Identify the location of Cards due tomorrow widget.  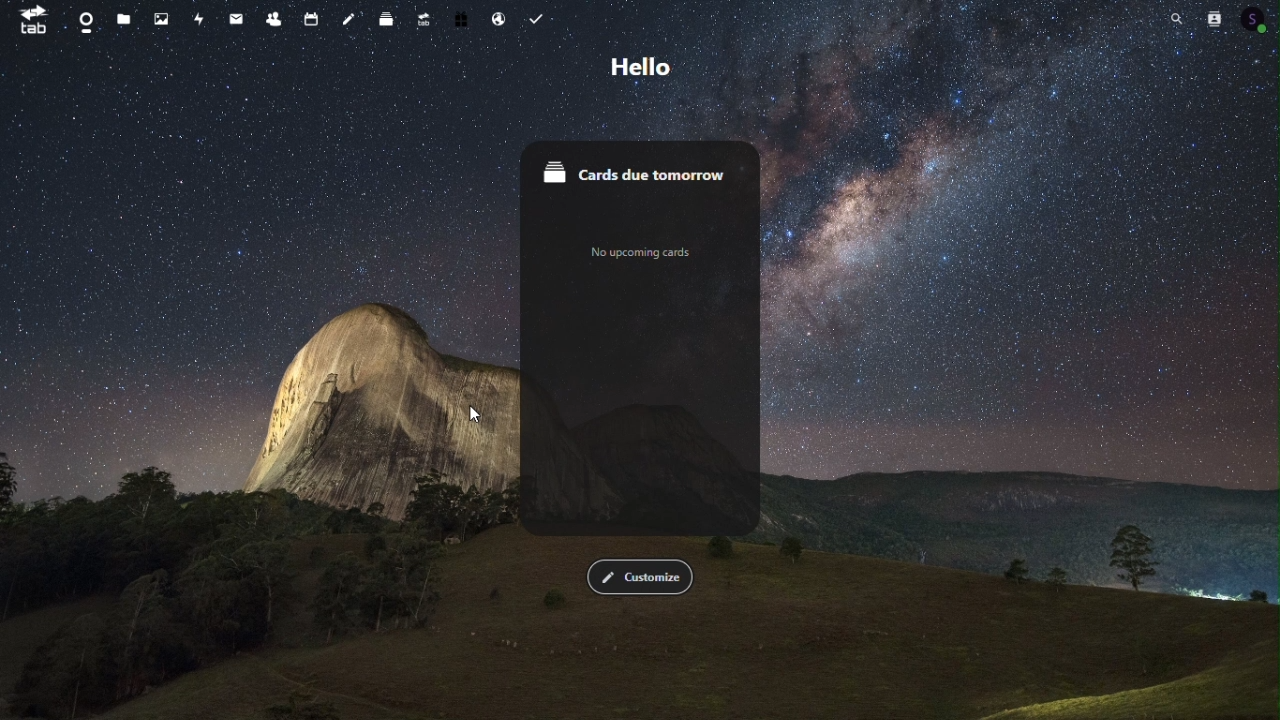
(640, 168).